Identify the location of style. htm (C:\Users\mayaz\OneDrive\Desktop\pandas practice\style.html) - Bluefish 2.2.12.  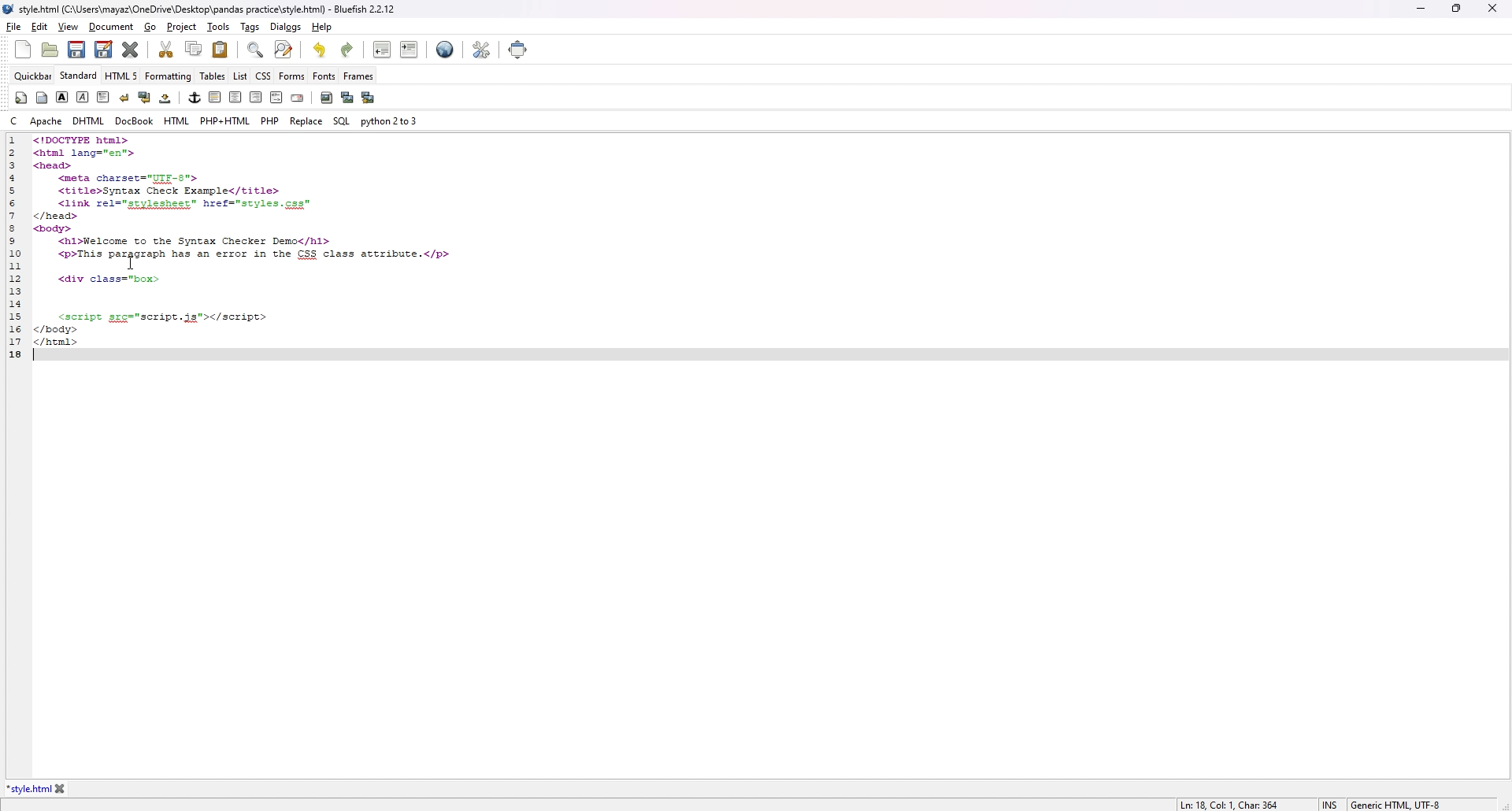
(211, 9).